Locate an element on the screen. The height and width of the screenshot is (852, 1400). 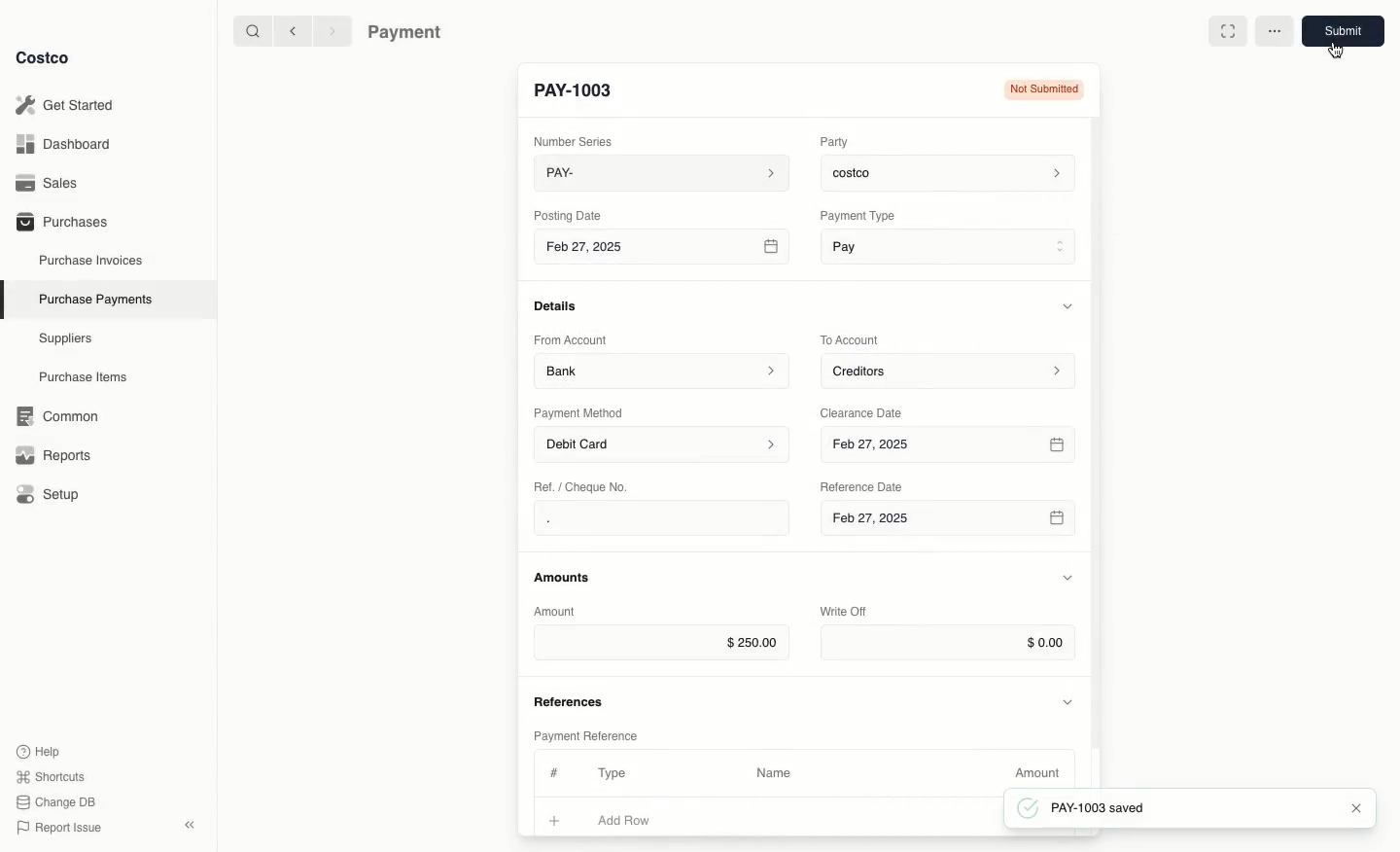
PAY- is located at coordinates (663, 172).